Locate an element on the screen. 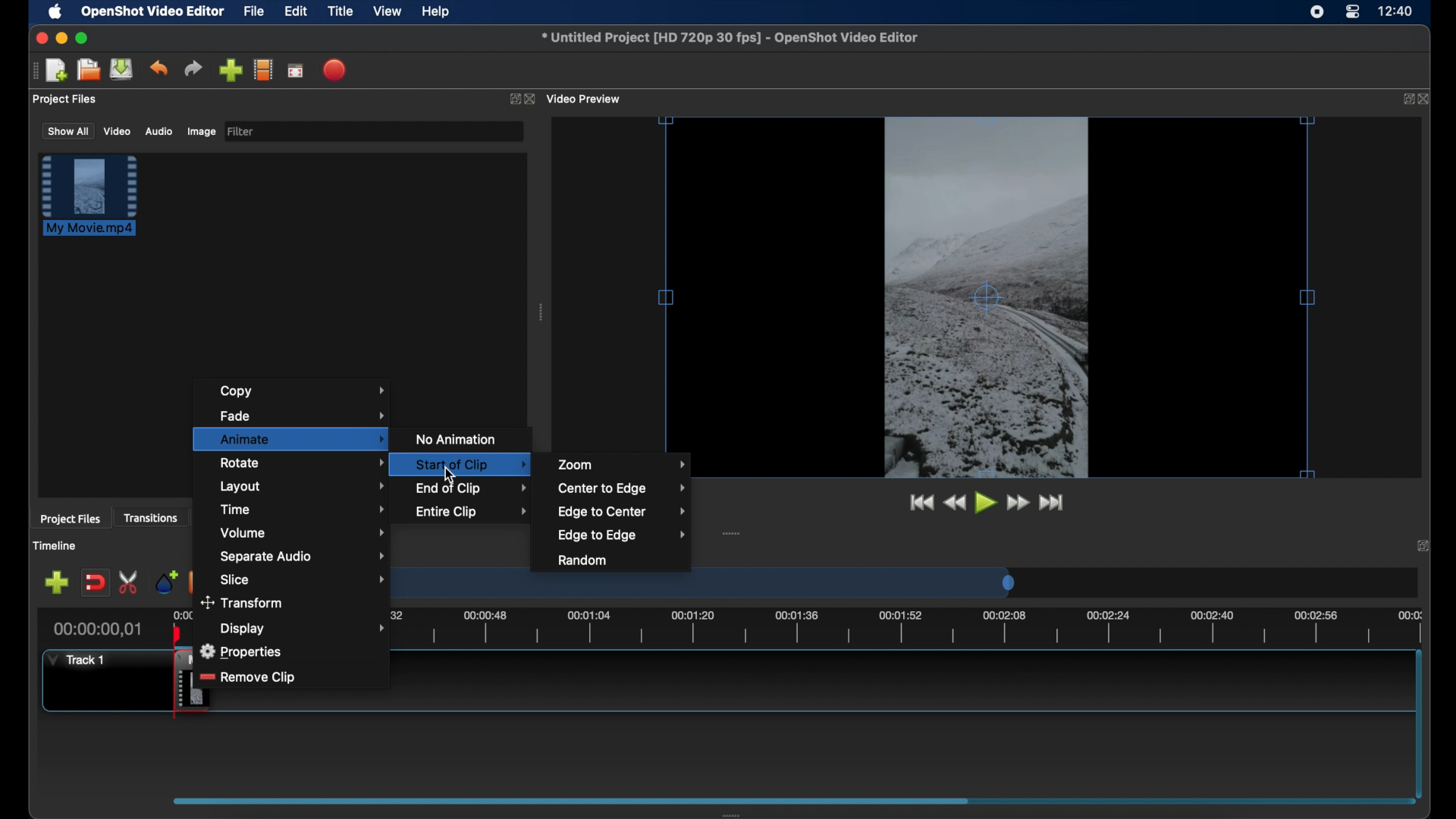 This screenshot has height=819, width=1456. project files is located at coordinates (65, 99).